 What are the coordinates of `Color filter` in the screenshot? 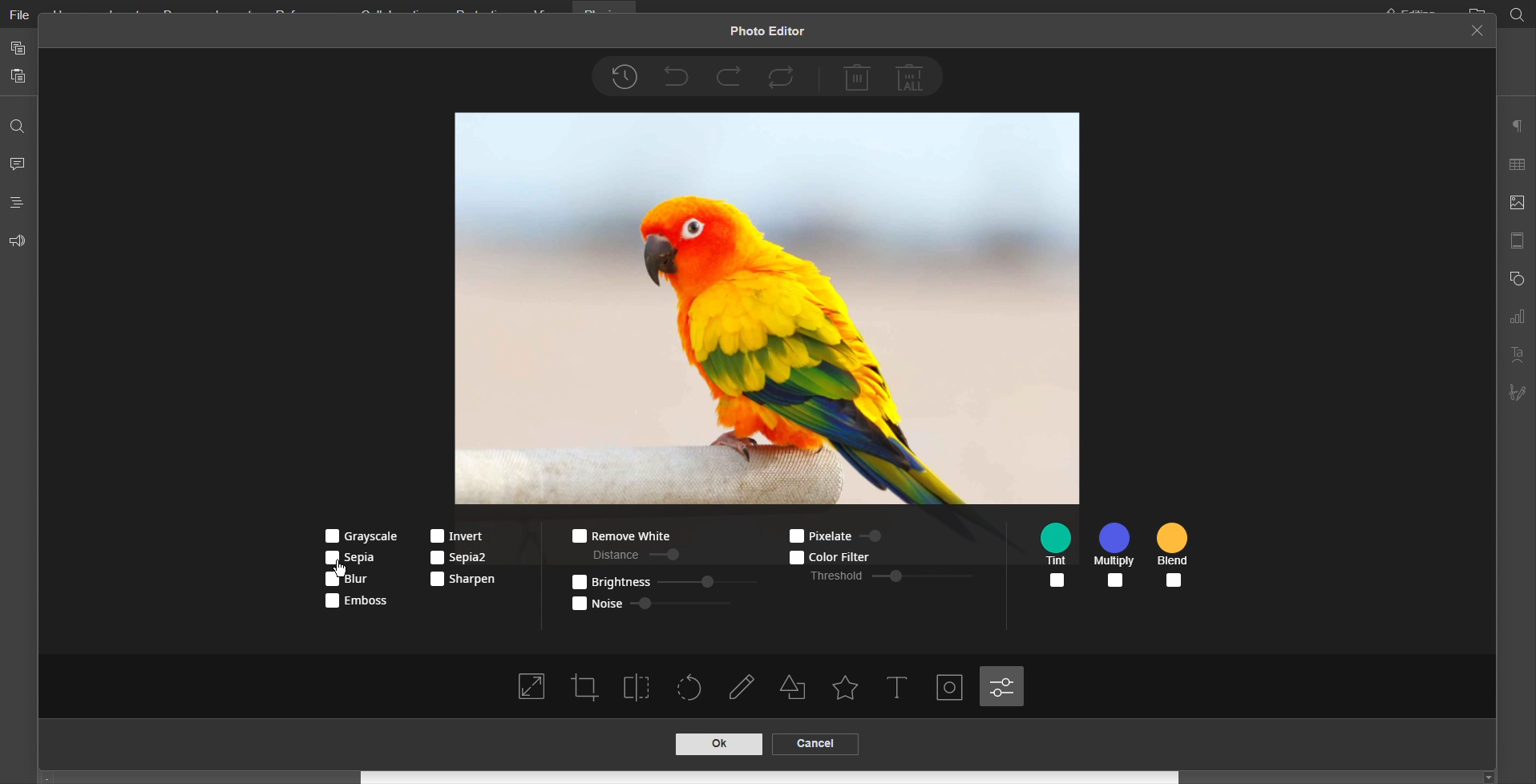 It's located at (858, 556).